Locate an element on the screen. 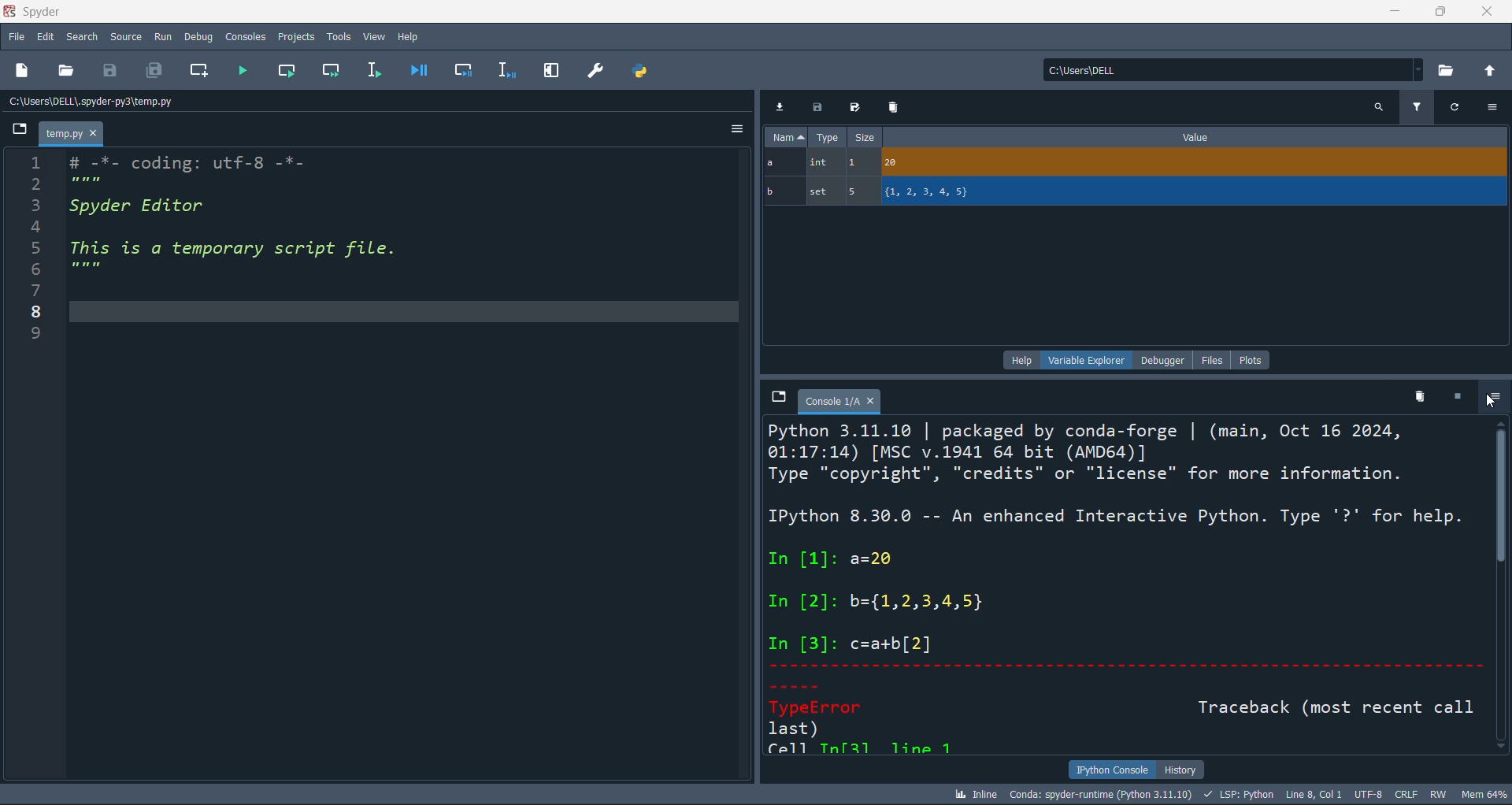 The image size is (1512, 805). name is located at coordinates (784, 137).